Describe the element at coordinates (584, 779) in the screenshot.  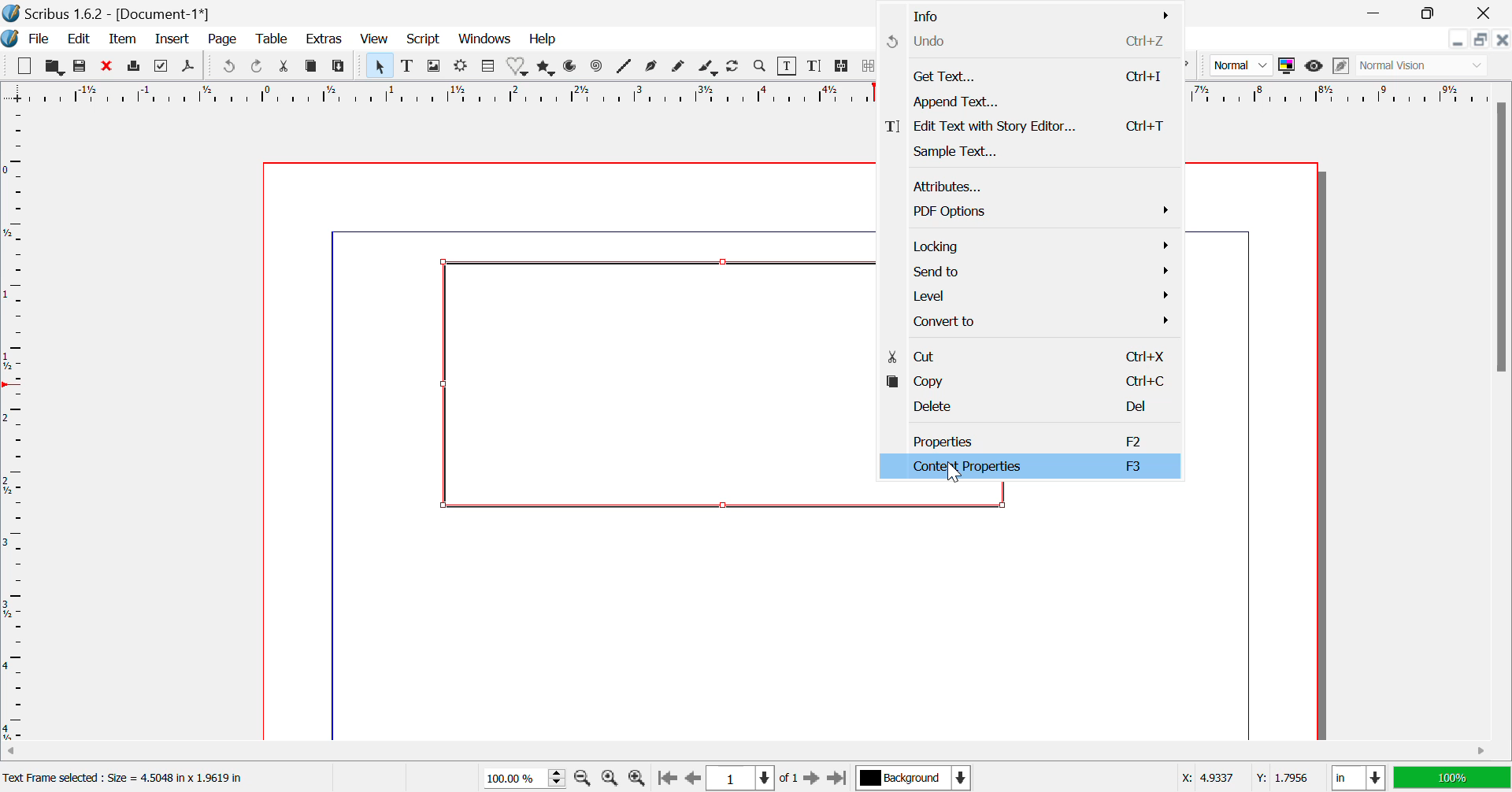
I see `Zoom Out` at that location.